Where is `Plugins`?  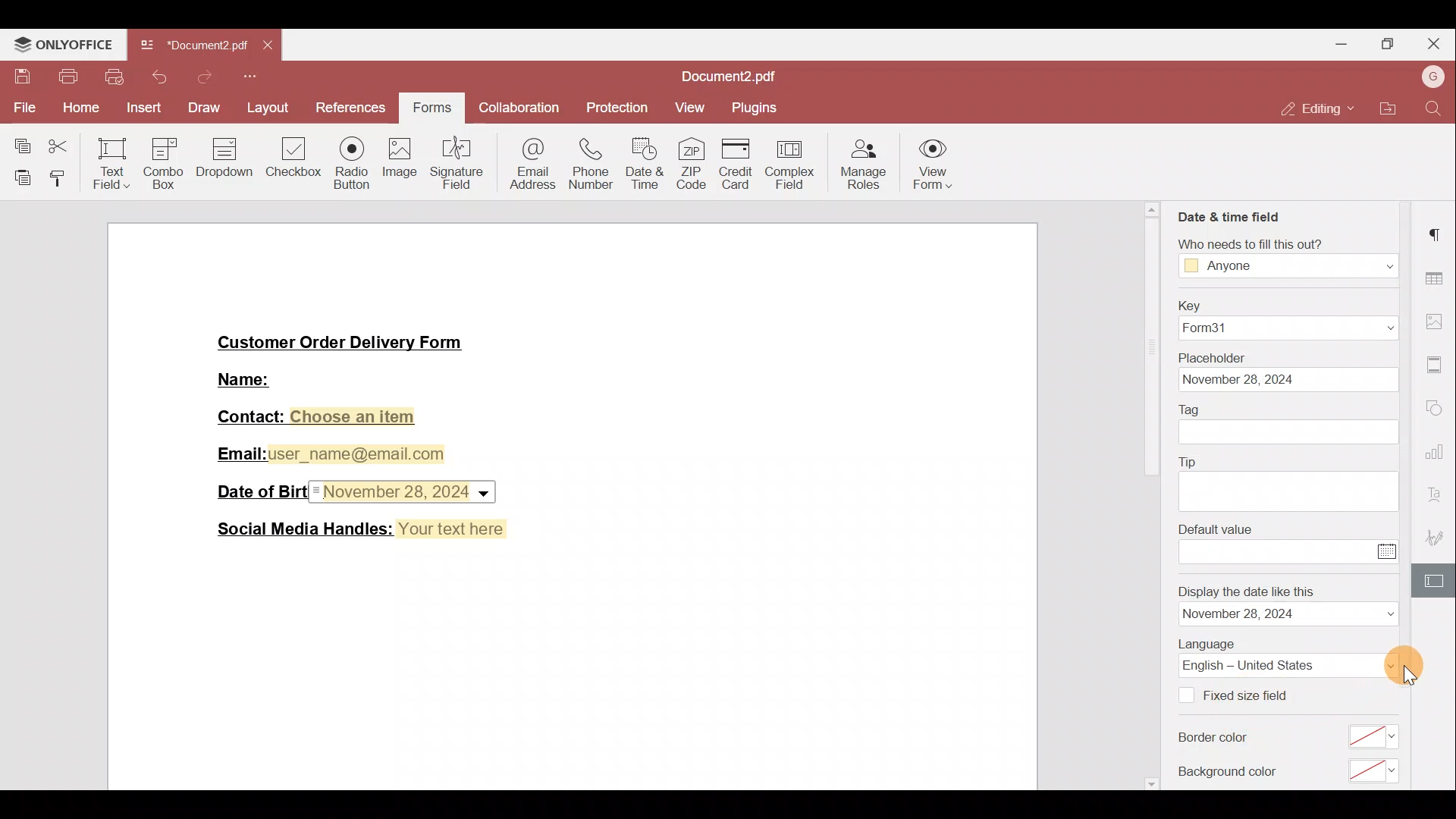 Plugins is located at coordinates (761, 107).